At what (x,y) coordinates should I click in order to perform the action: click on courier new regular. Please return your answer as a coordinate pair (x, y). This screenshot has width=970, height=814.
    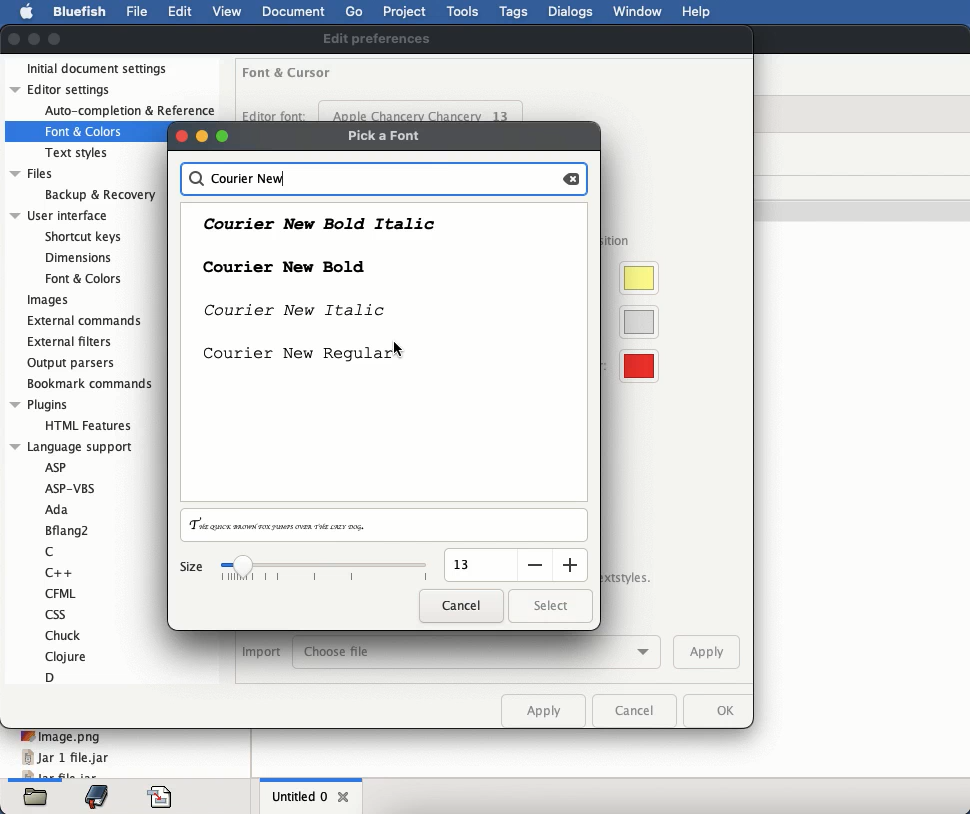
    Looking at the image, I should click on (302, 352).